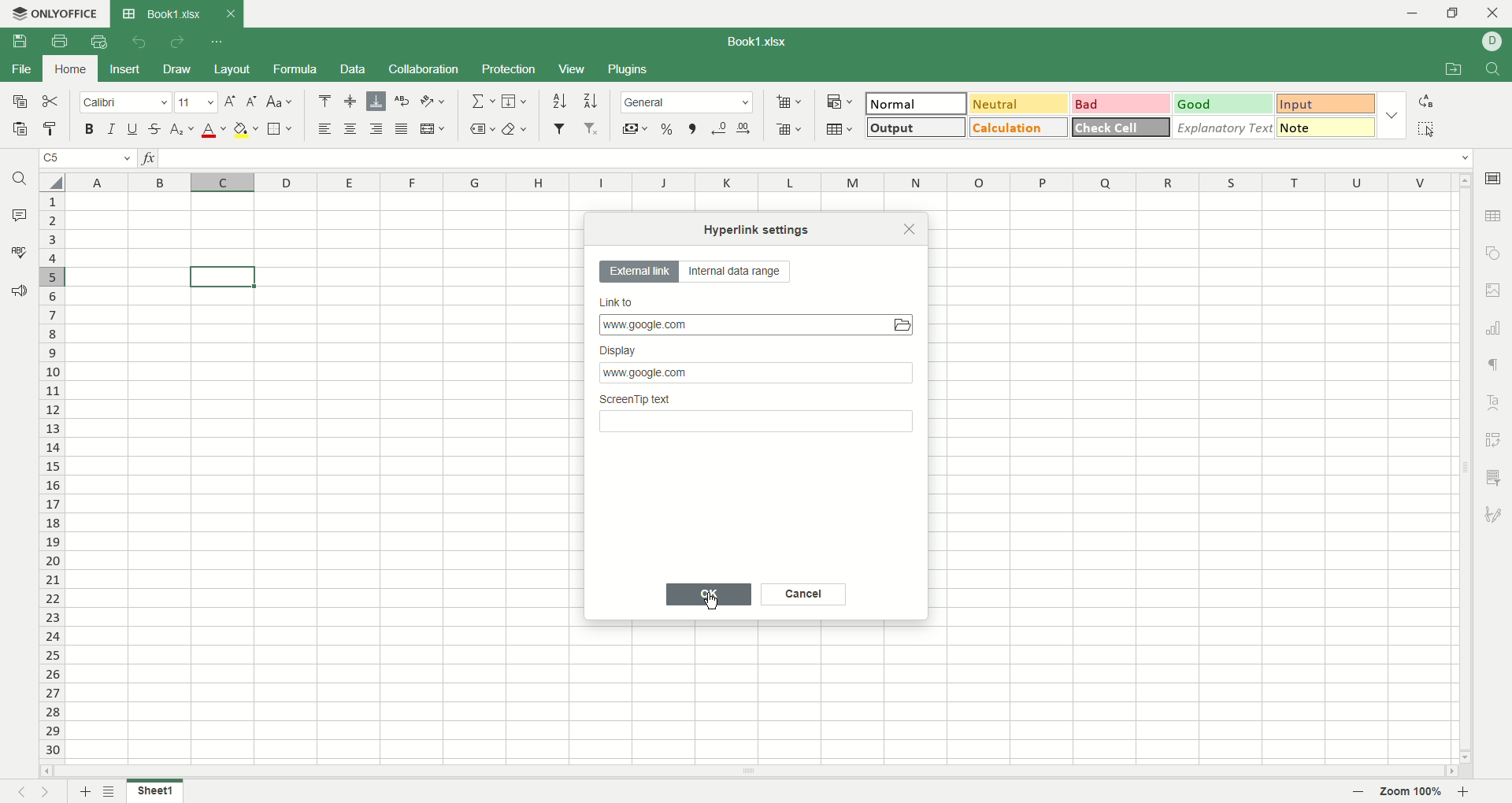 The image size is (1512, 803). What do you see at coordinates (50, 182) in the screenshot?
I see `select all` at bounding box center [50, 182].